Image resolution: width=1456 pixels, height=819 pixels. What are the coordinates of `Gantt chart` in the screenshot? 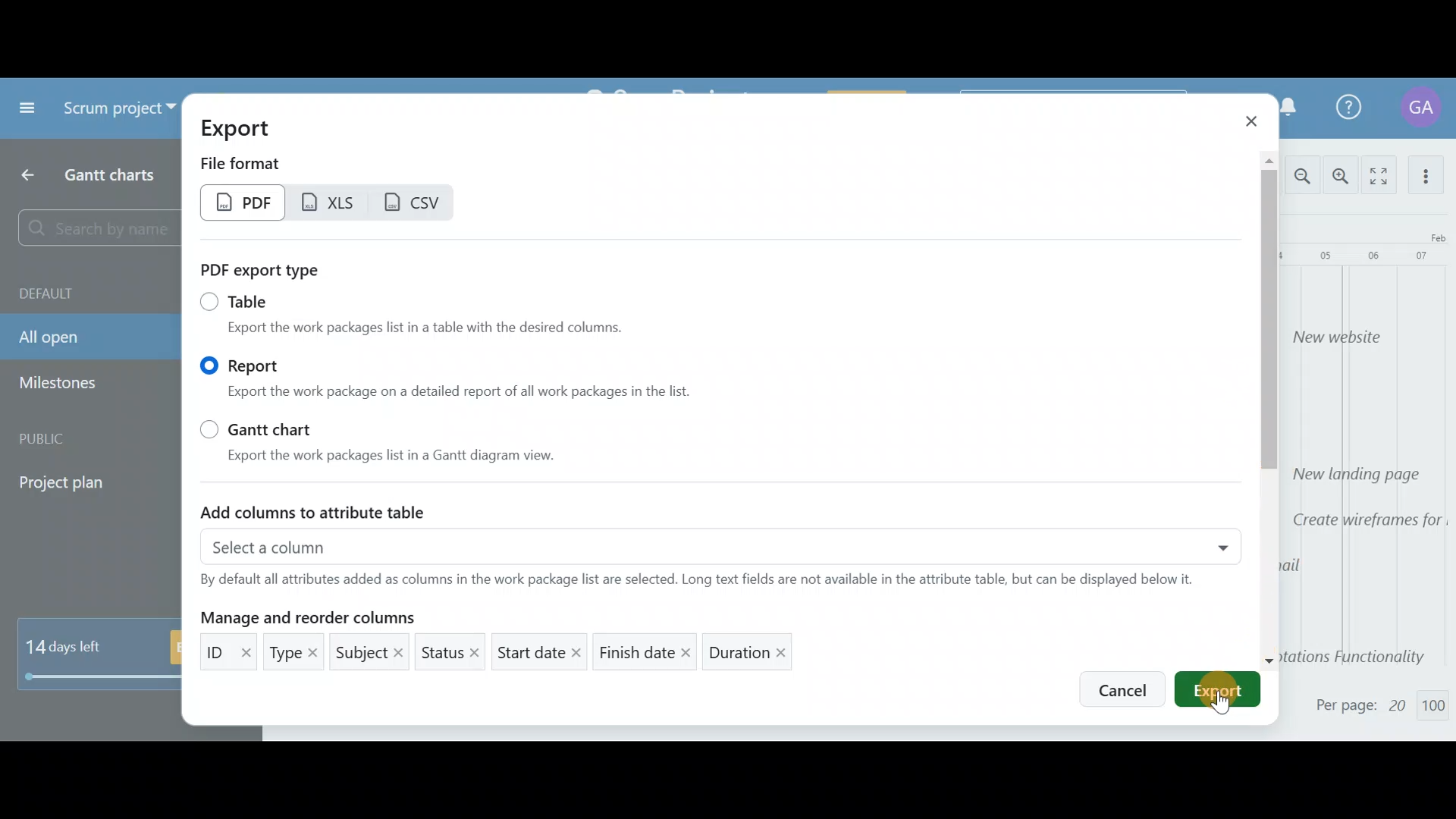 It's located at (247, 431).